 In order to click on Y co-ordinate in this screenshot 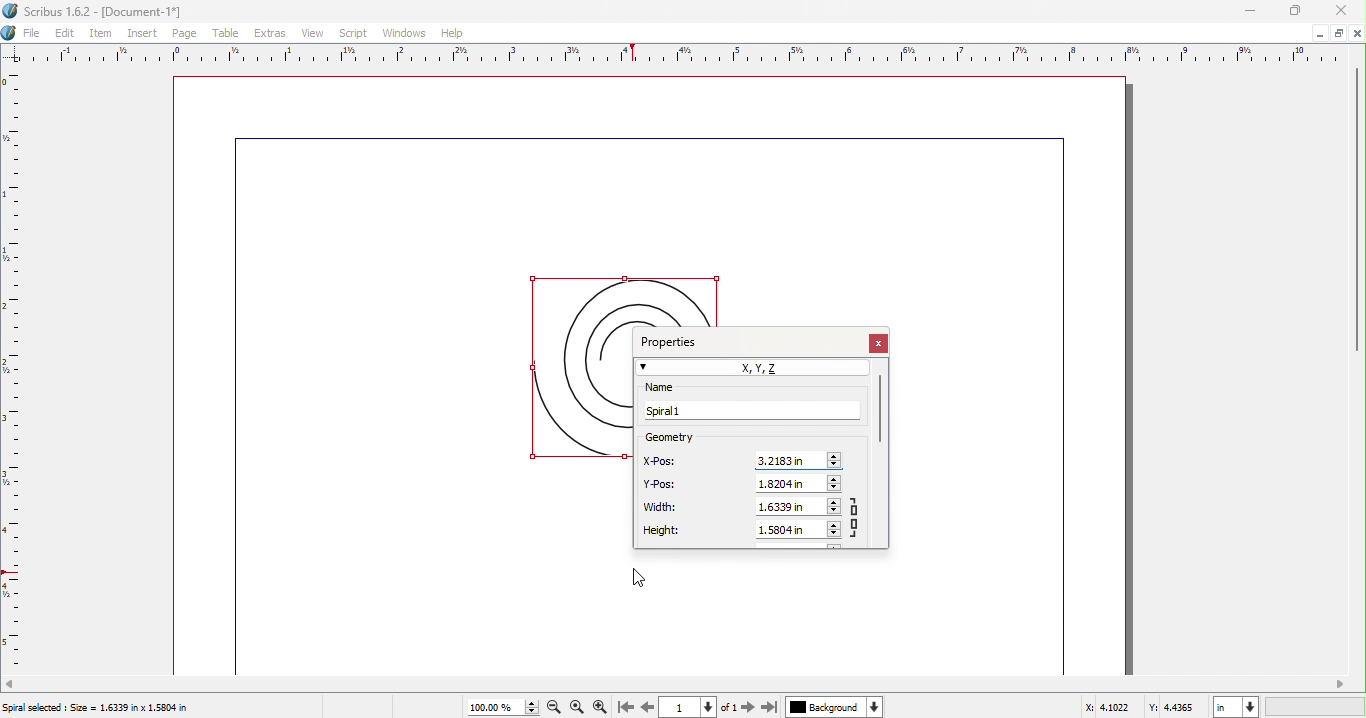, I will do `click(1178, 708)`.